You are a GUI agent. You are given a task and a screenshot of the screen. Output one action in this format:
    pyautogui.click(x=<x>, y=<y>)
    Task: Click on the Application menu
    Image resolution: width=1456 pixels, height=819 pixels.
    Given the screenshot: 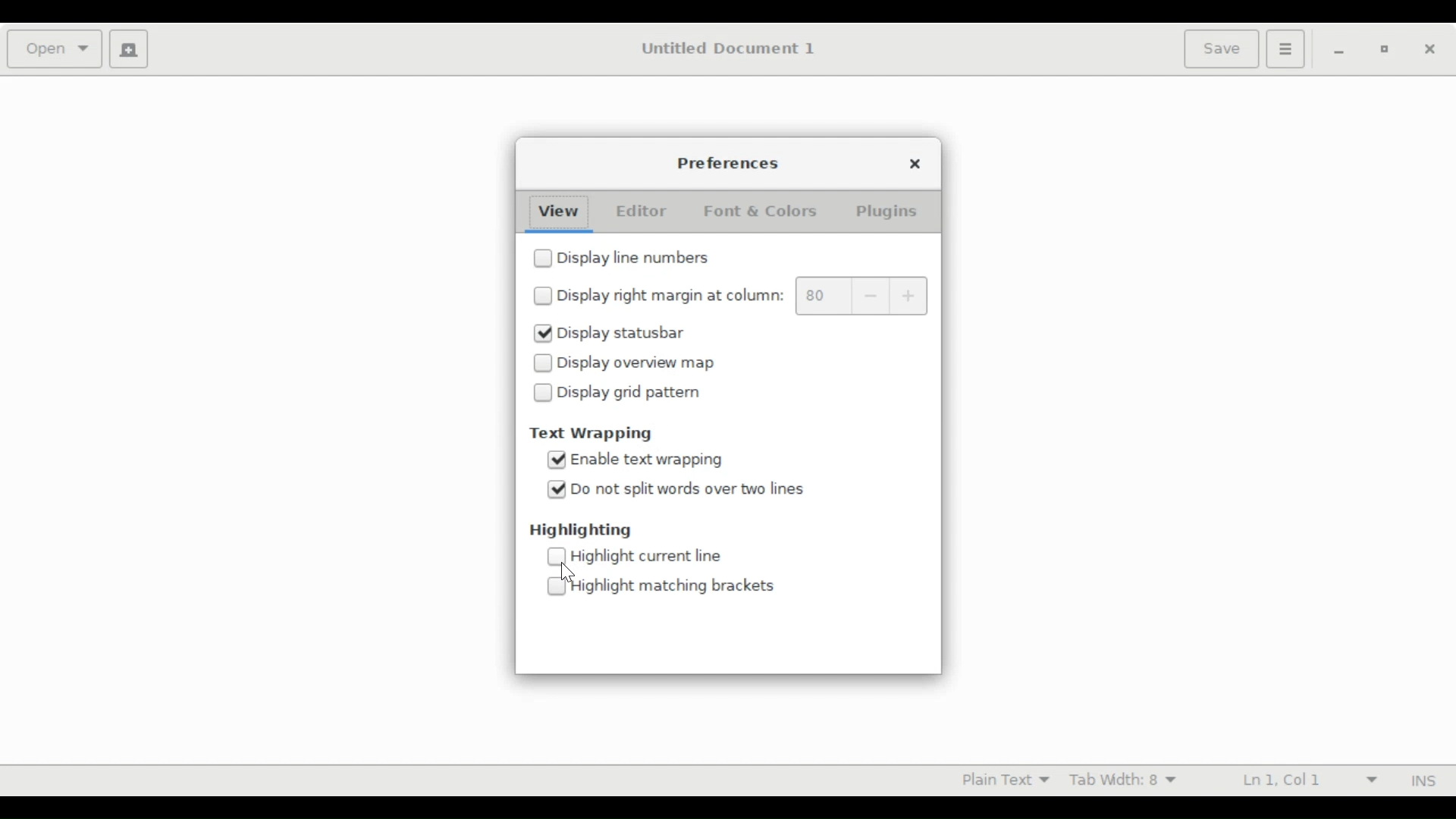 What is the action you would take?
    pyautogui.click(x=1285, y=49)
    